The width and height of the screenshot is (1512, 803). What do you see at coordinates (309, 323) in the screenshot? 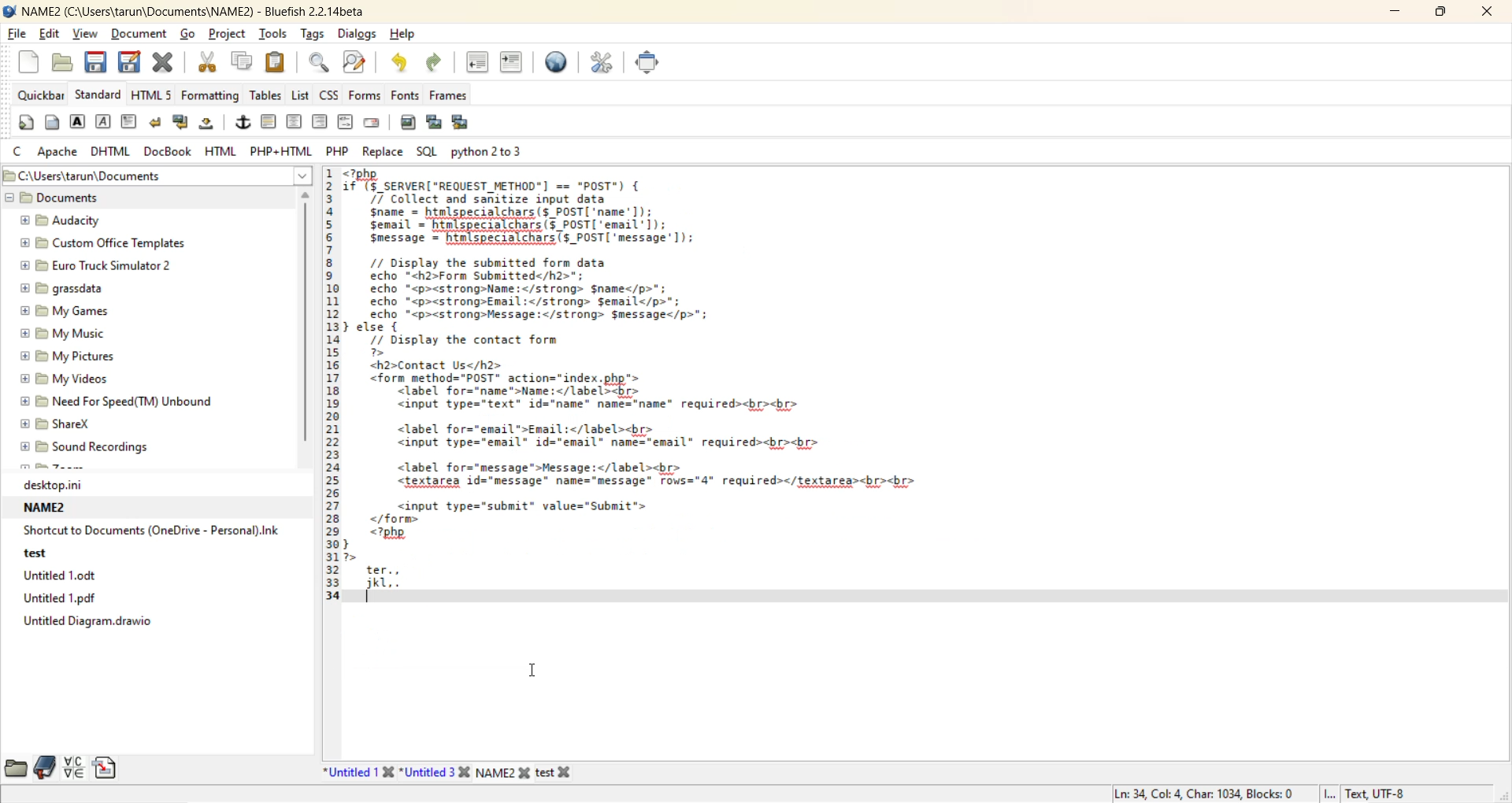
I see `vertical scroll bar` at bounding box center [309, 323].